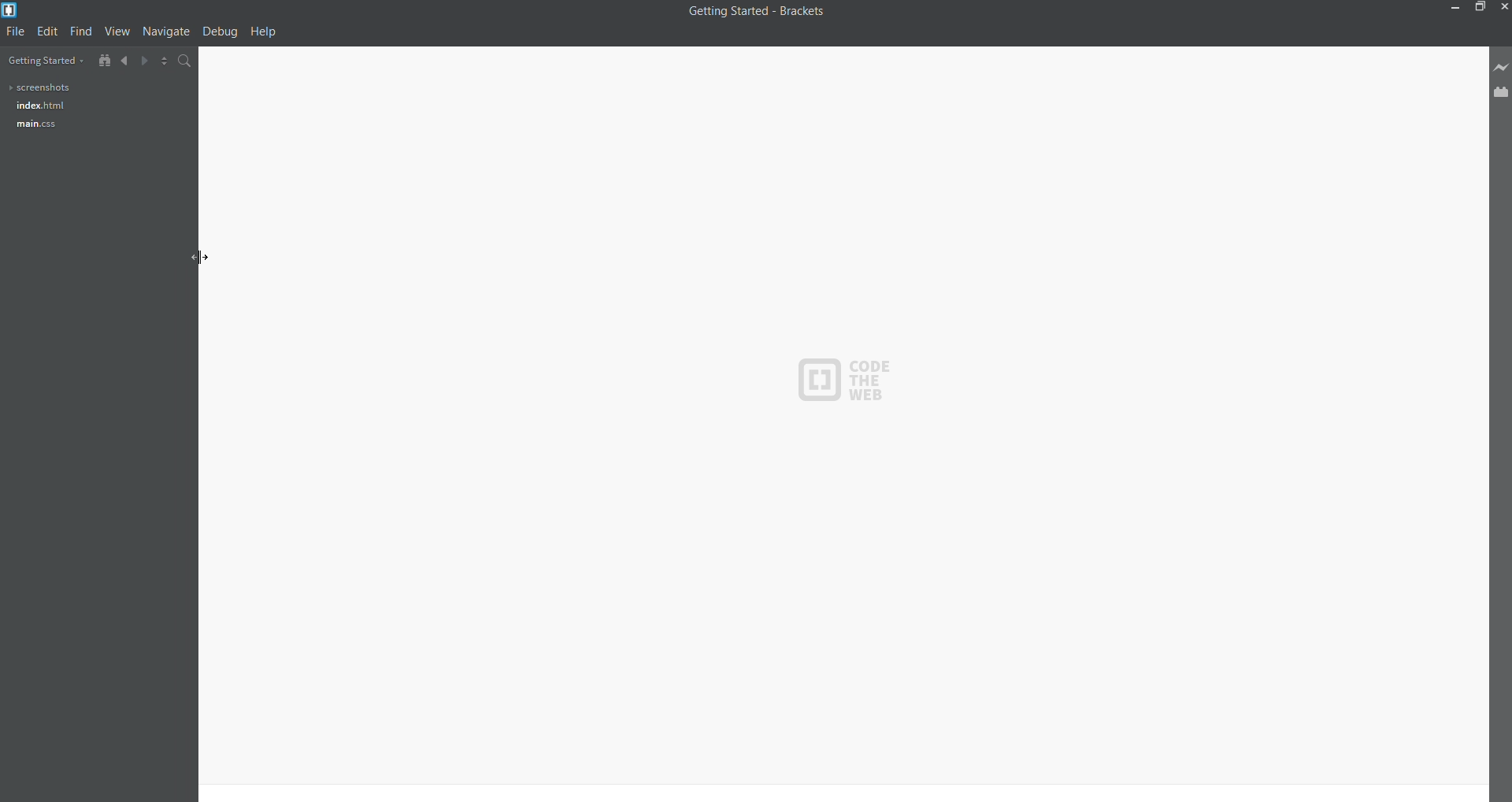  I want to click on backward, so click(119, 60).